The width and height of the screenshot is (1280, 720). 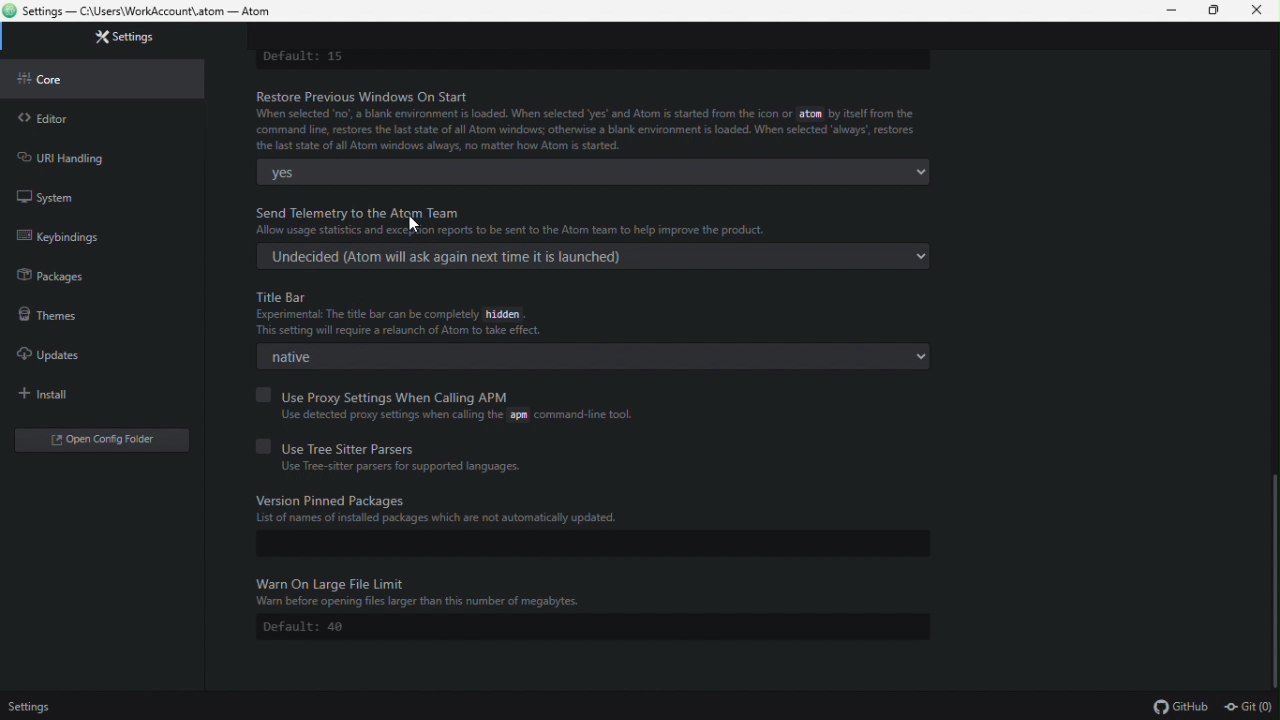 What do you see at coordinates (589, 121) in the screenshot?
I see `Restore previous window On Start When selected 'no,' a blank environment is loaded. When selected 'yes' and Atom is started from tge icon or atom by itself from the command line, restores the laststate of all Atom windows, otherwise a blank environment is loaded. When selected 'always, restores the last of all Atom windows always, no matter how Atom is started.'` at bounding box center [589, 121].